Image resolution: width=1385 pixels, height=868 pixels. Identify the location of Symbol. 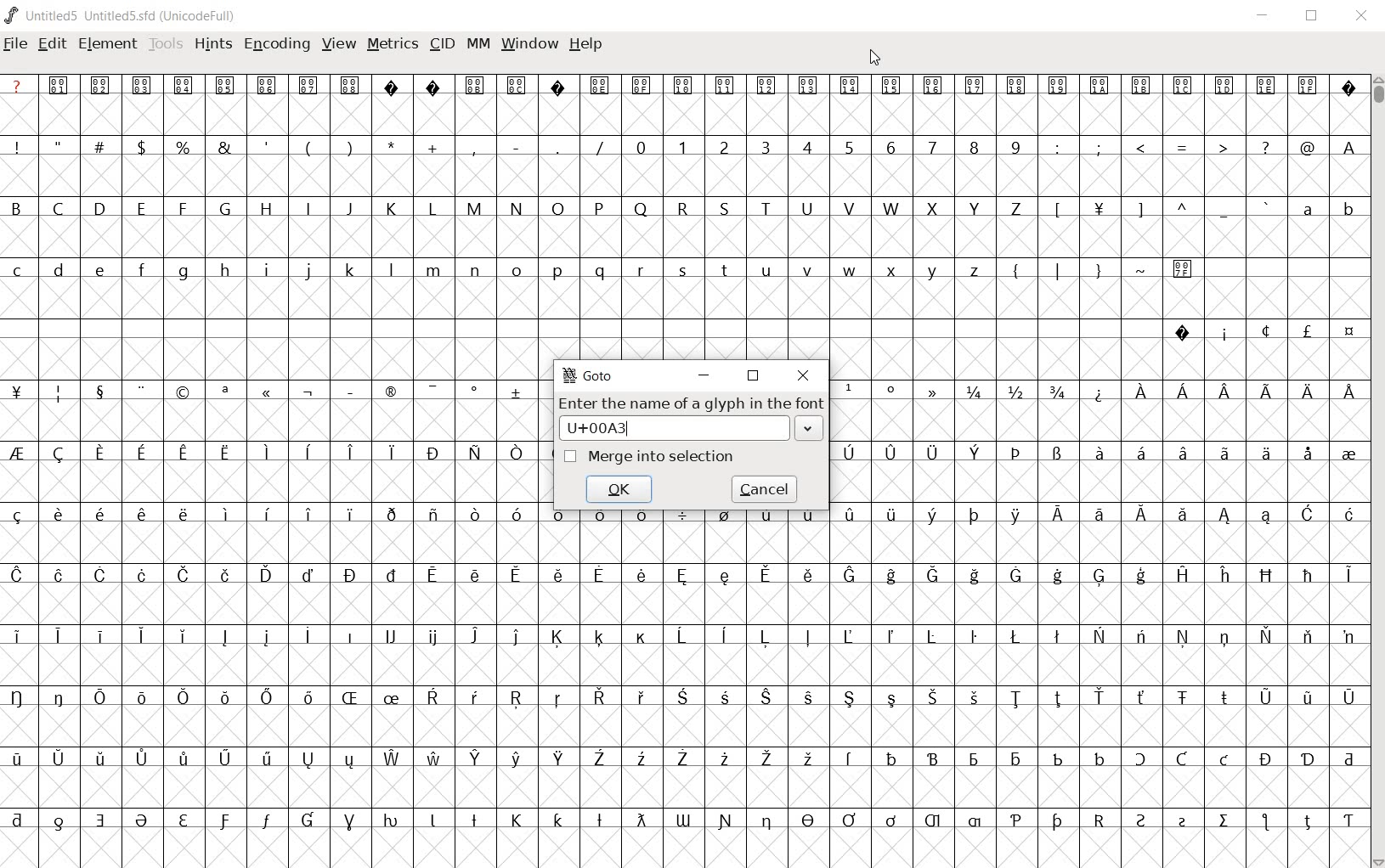
(21, 697).